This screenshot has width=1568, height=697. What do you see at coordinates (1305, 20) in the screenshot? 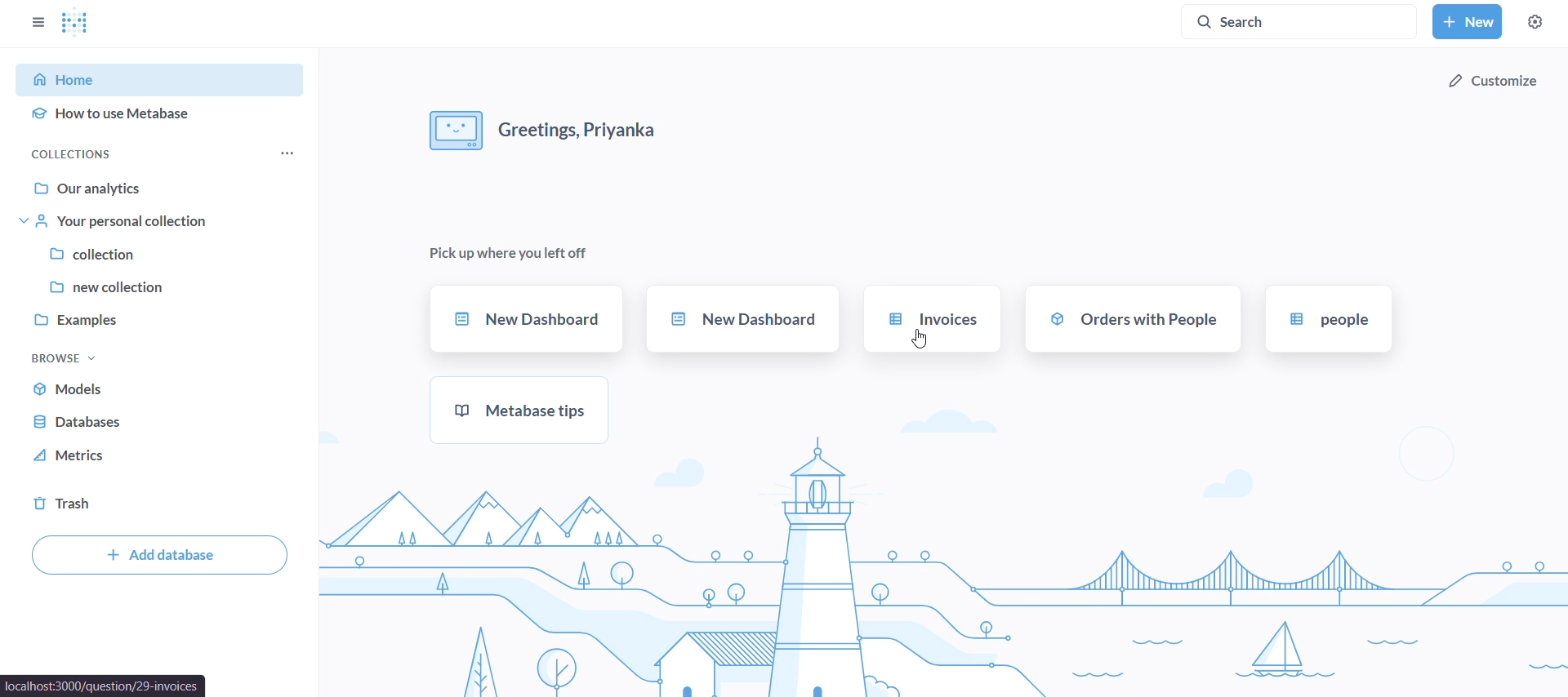
I see `search` at bounding box center [1305, 20].